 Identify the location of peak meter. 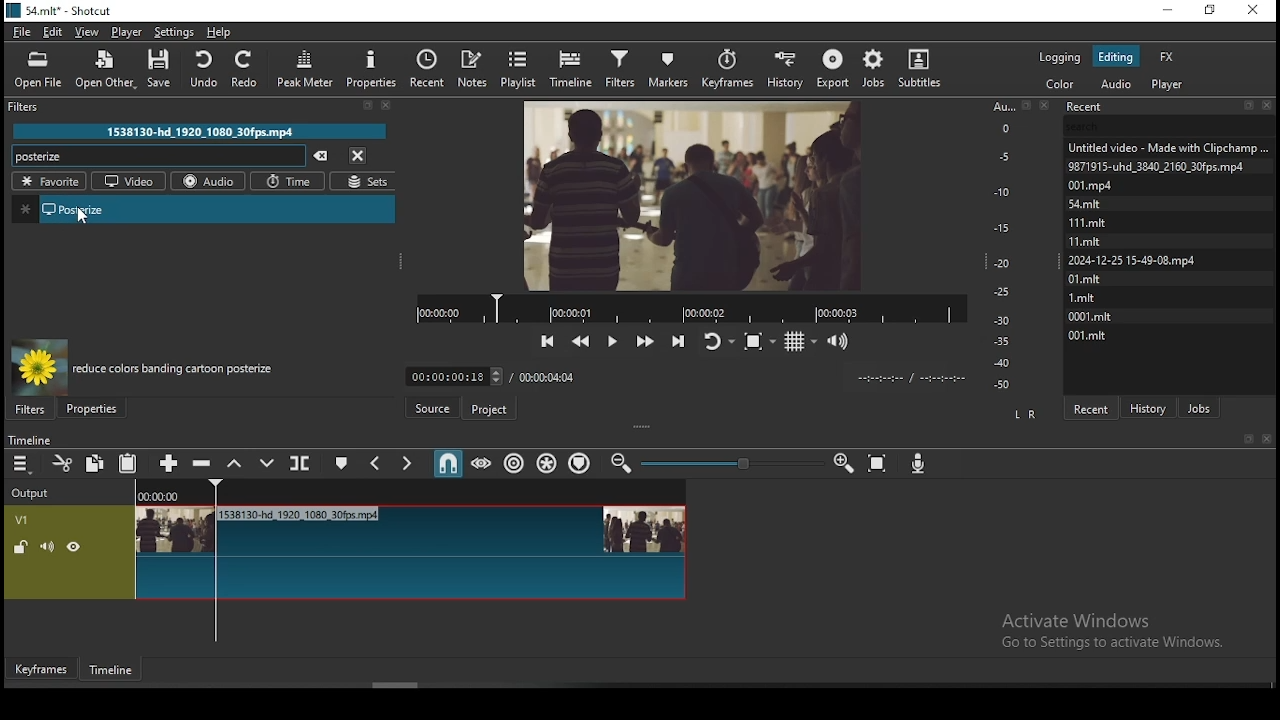
(302, 66).